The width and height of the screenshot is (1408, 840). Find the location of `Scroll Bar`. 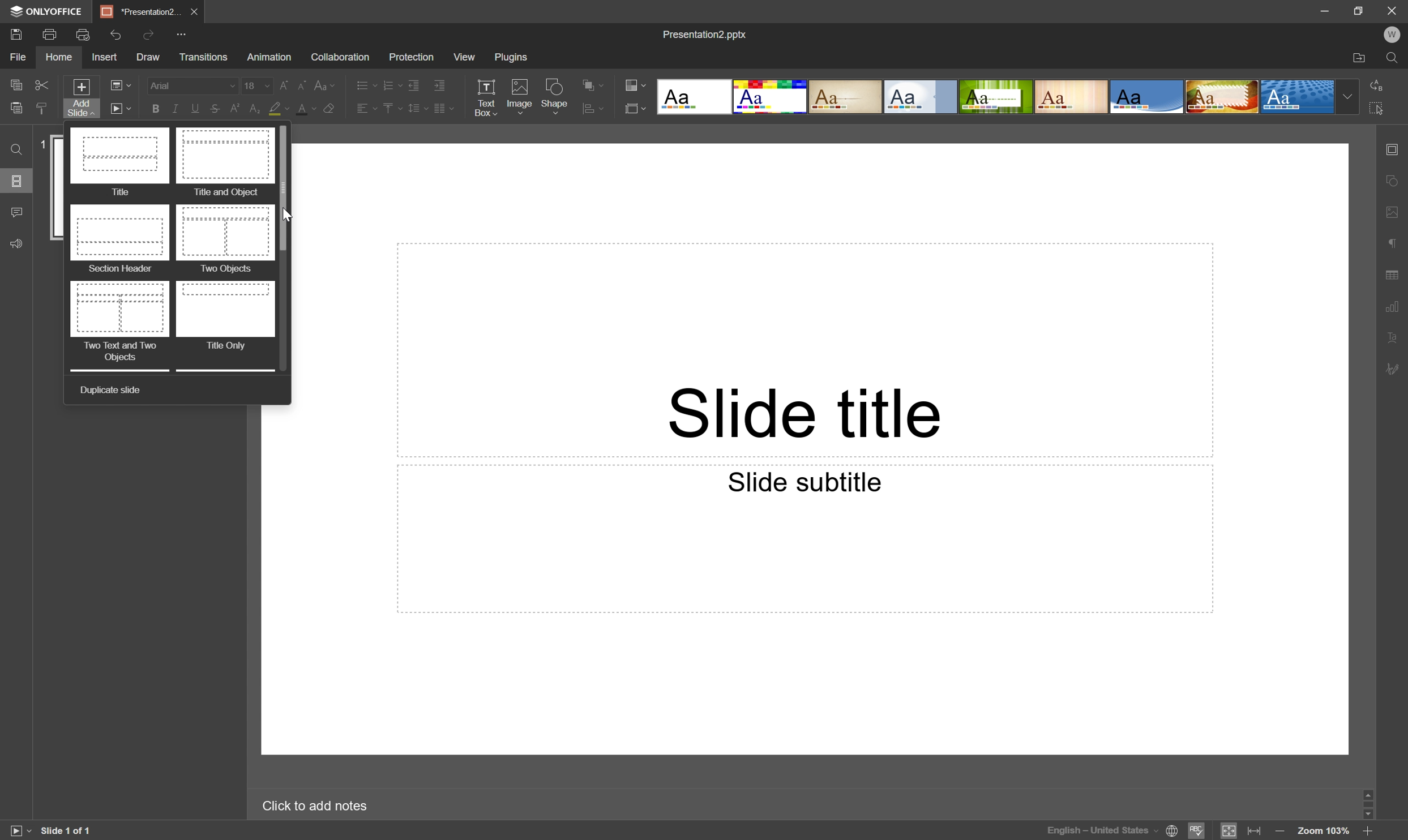

Scroll Bar is located at coordinates (1370, 800).